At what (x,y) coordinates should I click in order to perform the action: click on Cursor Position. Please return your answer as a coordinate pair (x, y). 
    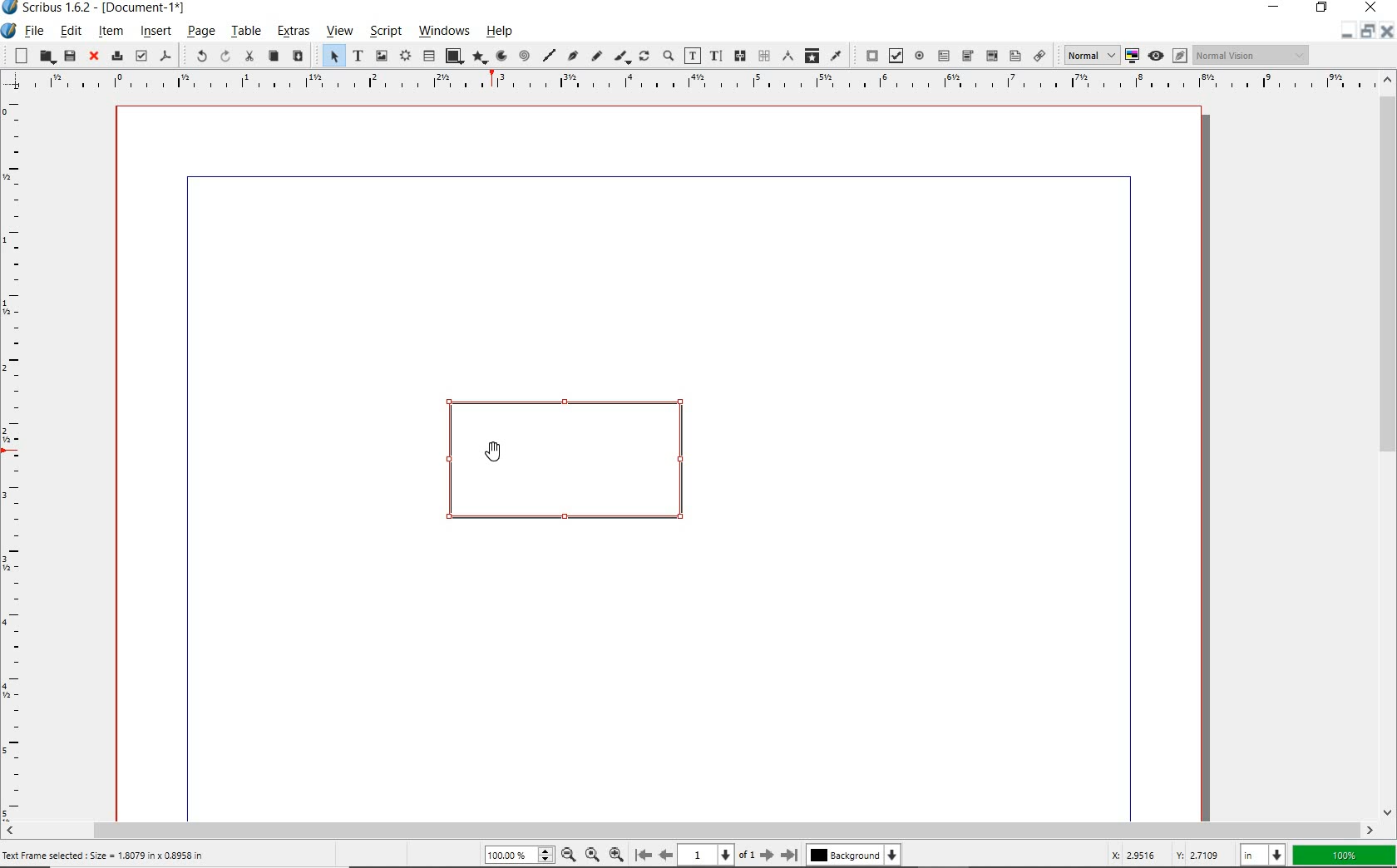
    Looking at the image, I should click on (492, 452).